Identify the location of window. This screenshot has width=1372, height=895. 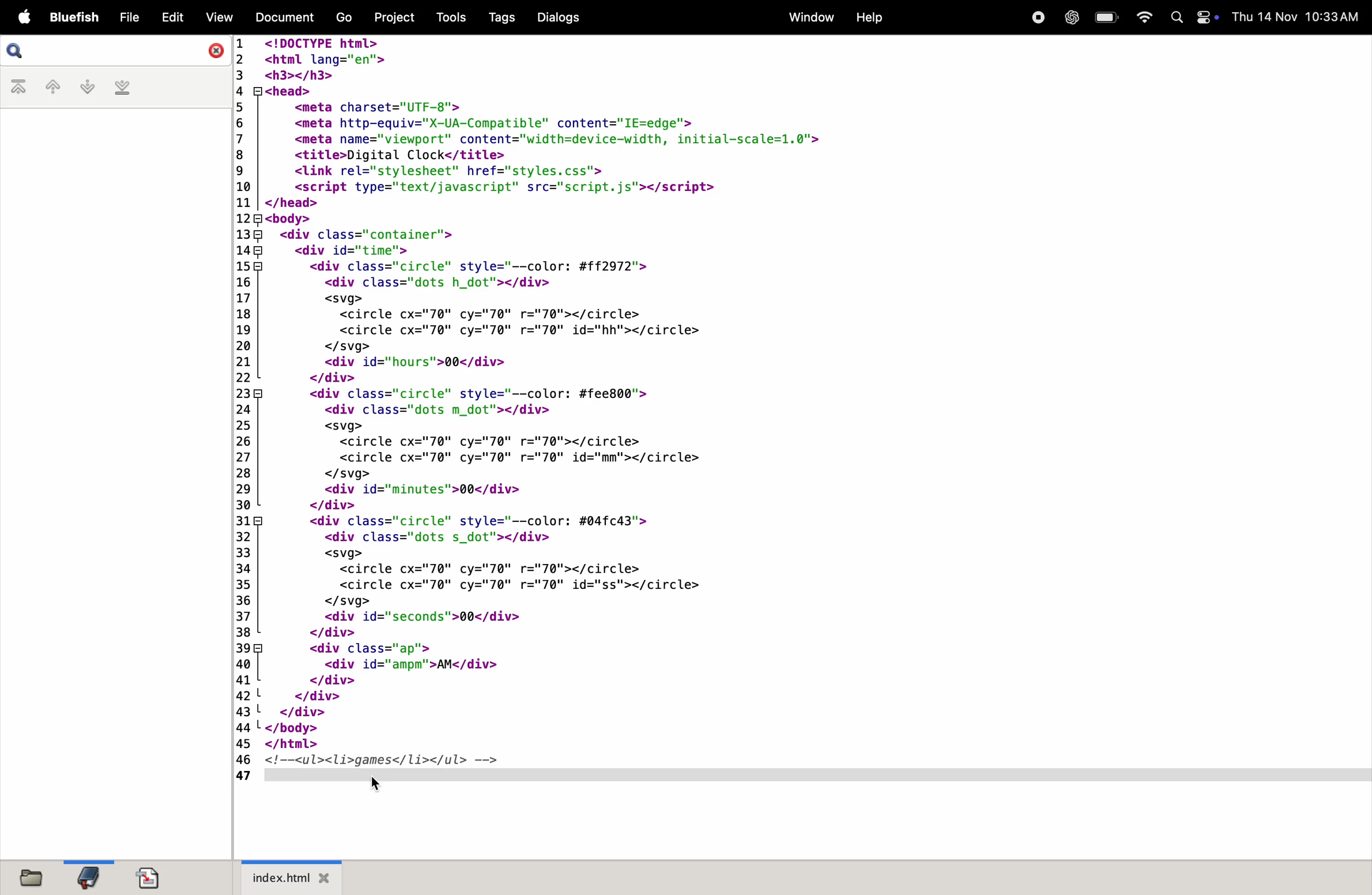
(808, 18).